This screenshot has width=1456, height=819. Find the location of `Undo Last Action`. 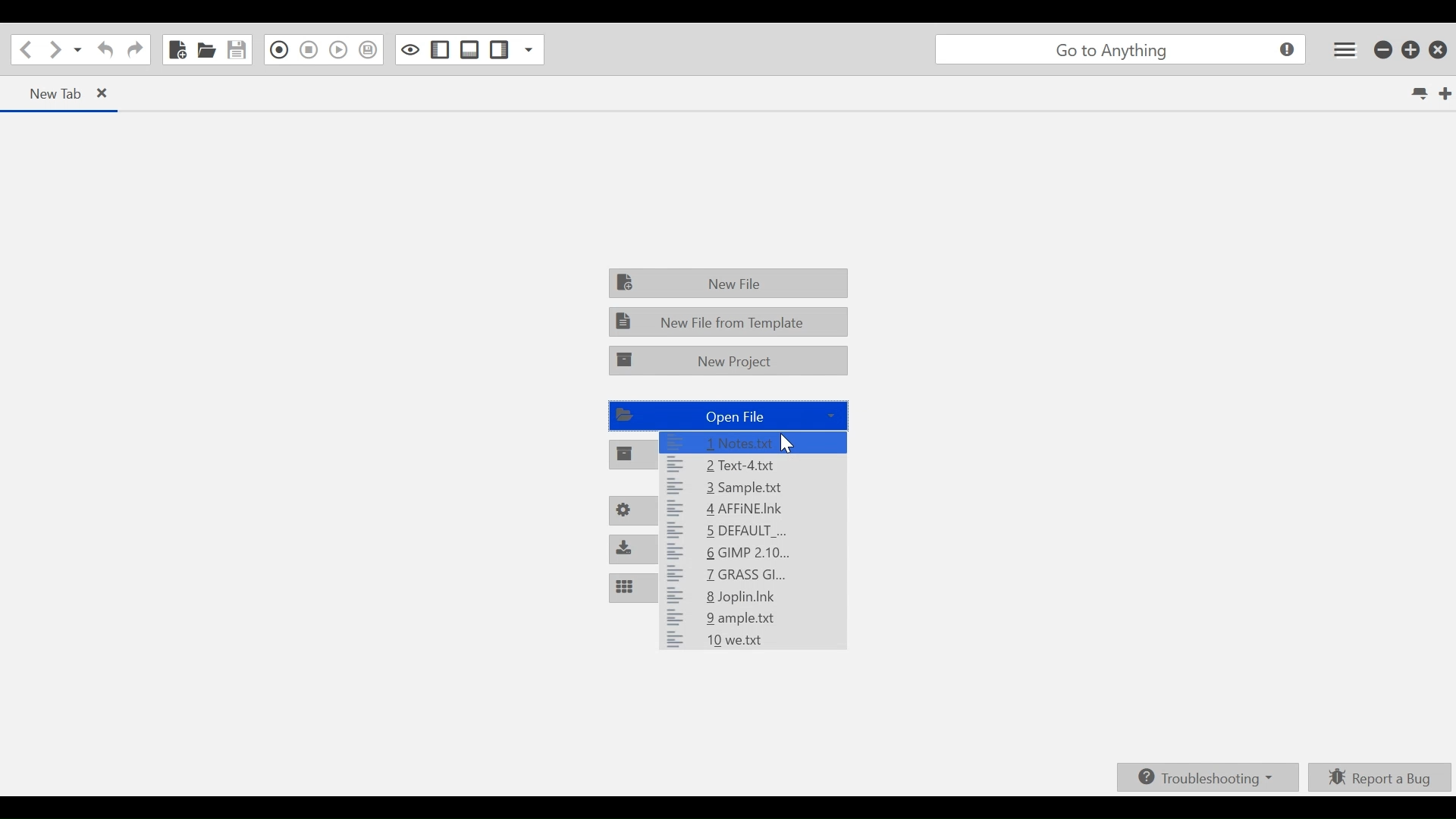

Undo Last Action is located at coordinates (103, 50).